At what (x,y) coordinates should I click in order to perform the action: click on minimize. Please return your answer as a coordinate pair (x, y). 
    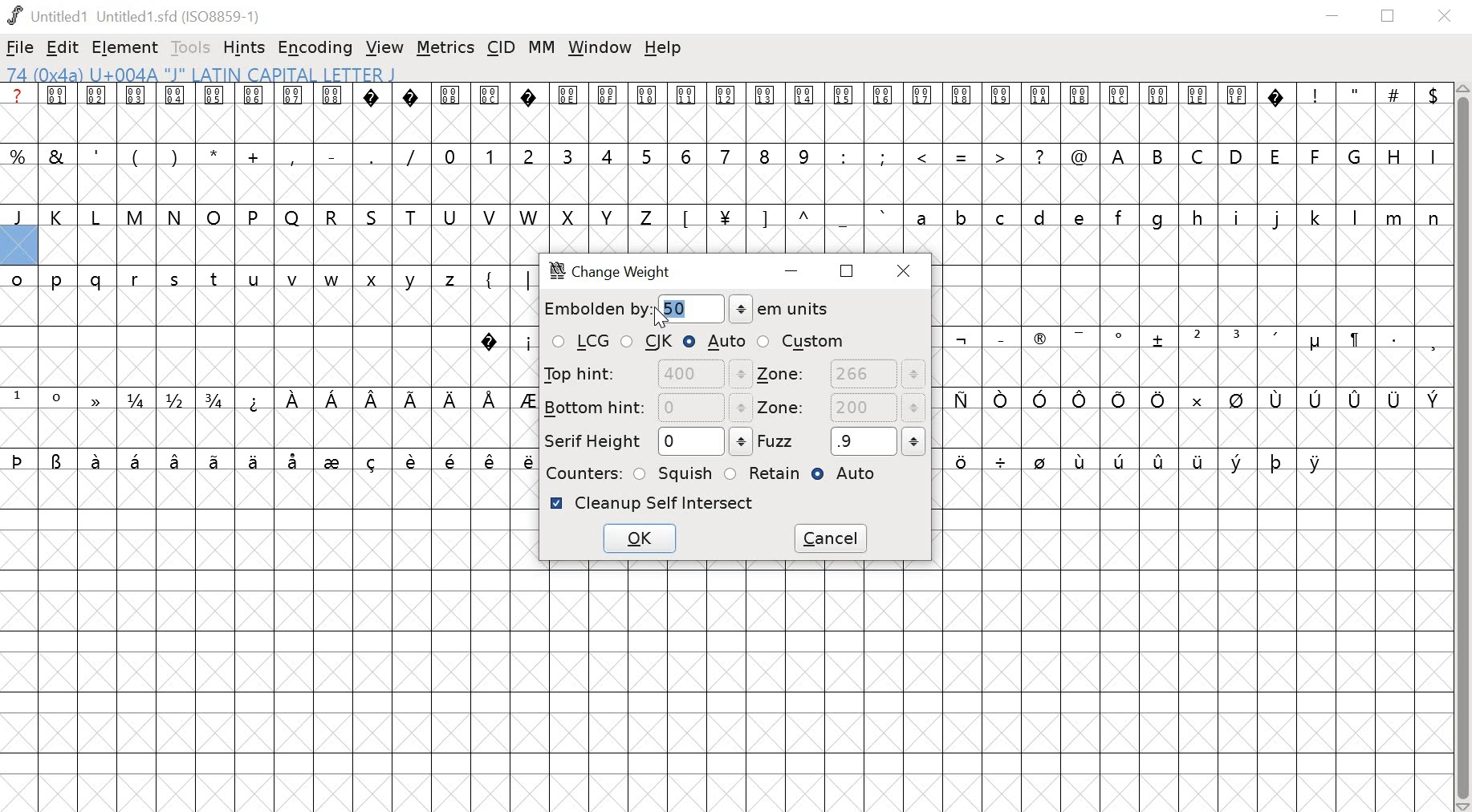
    Looking at the image, I should click on (795, 273).